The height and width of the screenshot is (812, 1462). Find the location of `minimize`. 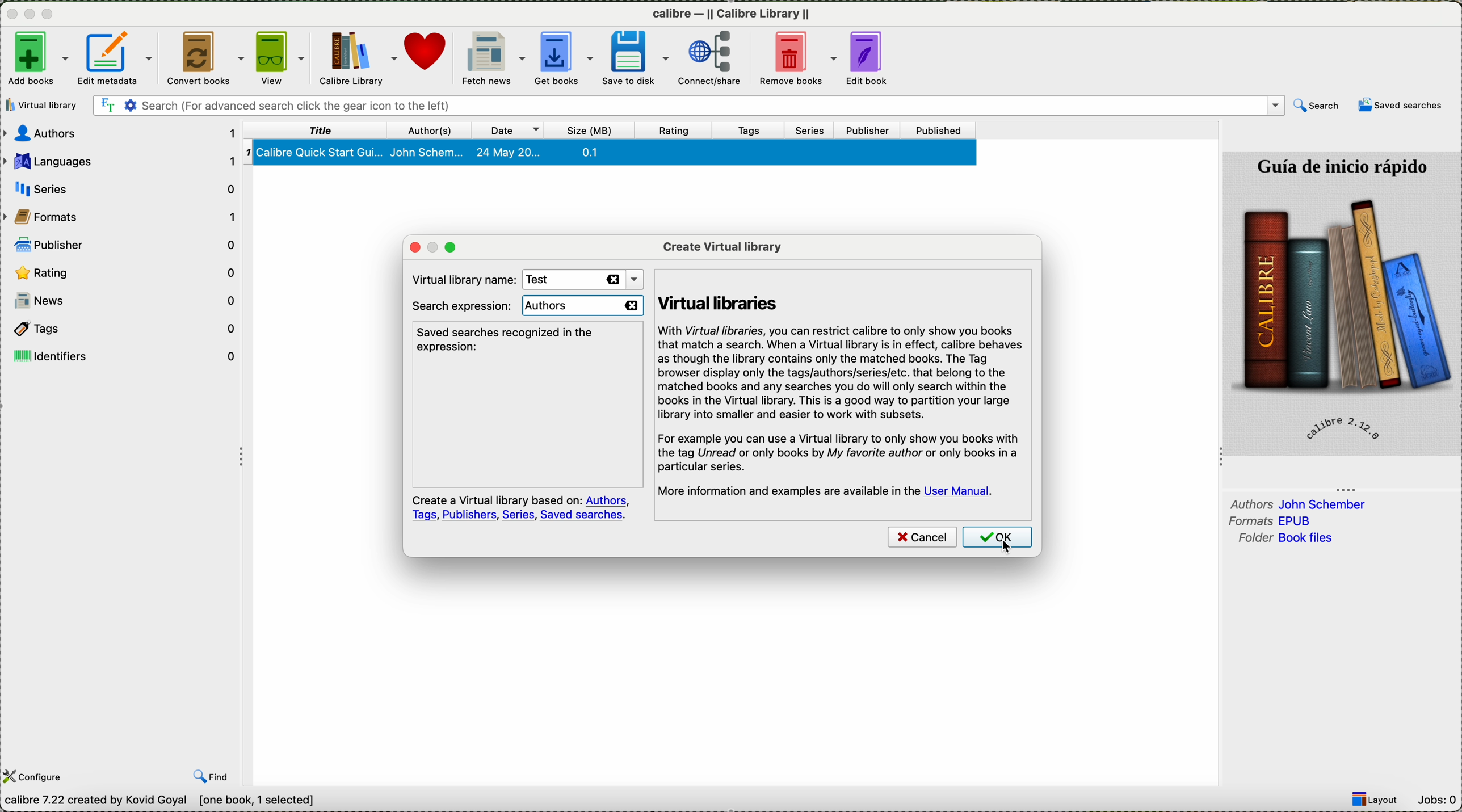

minimize is located at coordinates (30, 18).